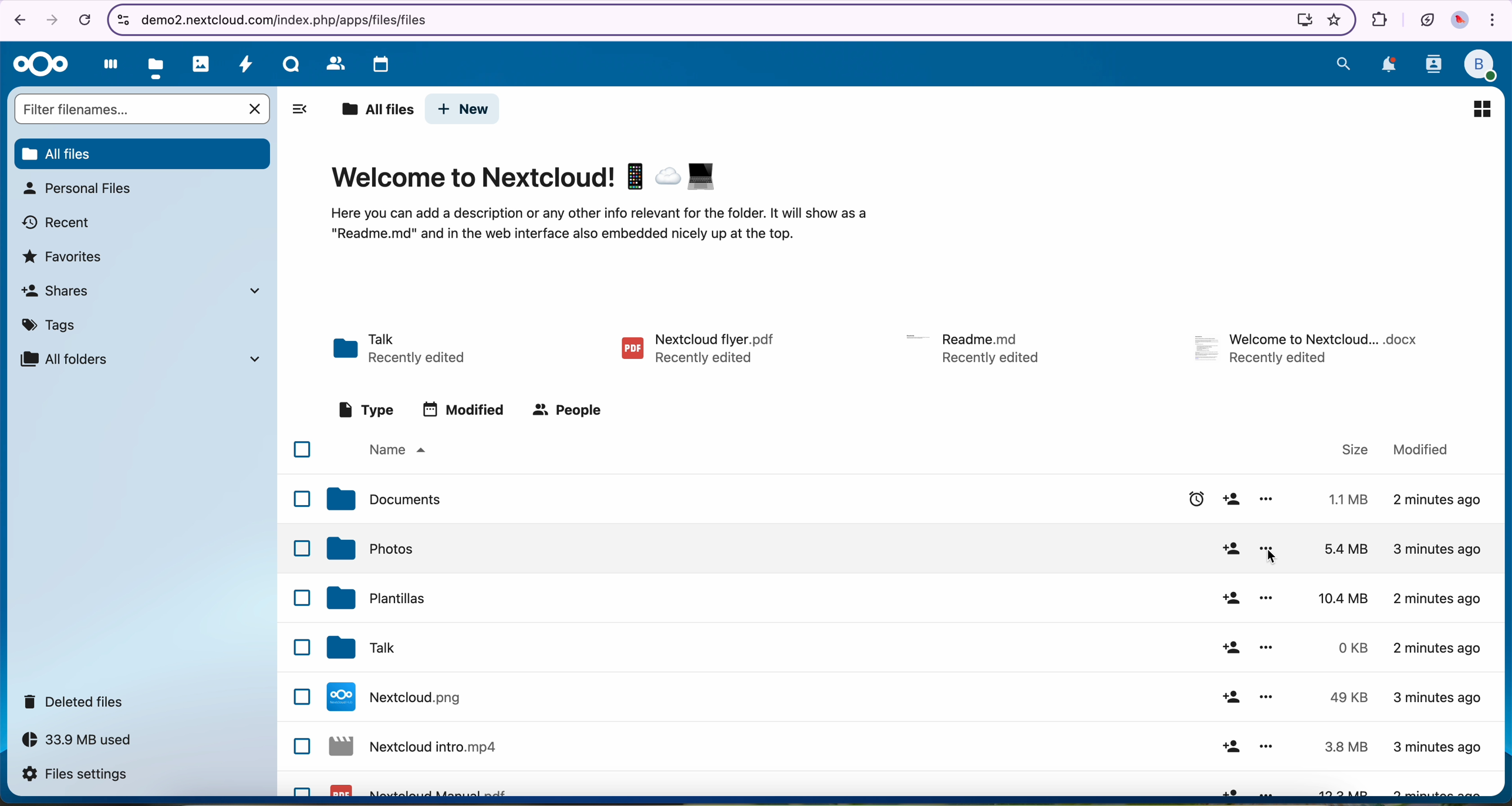 Image resolution: width=1512 pixels, height=806 pixels. I want to click on file, so click(1309, 348).